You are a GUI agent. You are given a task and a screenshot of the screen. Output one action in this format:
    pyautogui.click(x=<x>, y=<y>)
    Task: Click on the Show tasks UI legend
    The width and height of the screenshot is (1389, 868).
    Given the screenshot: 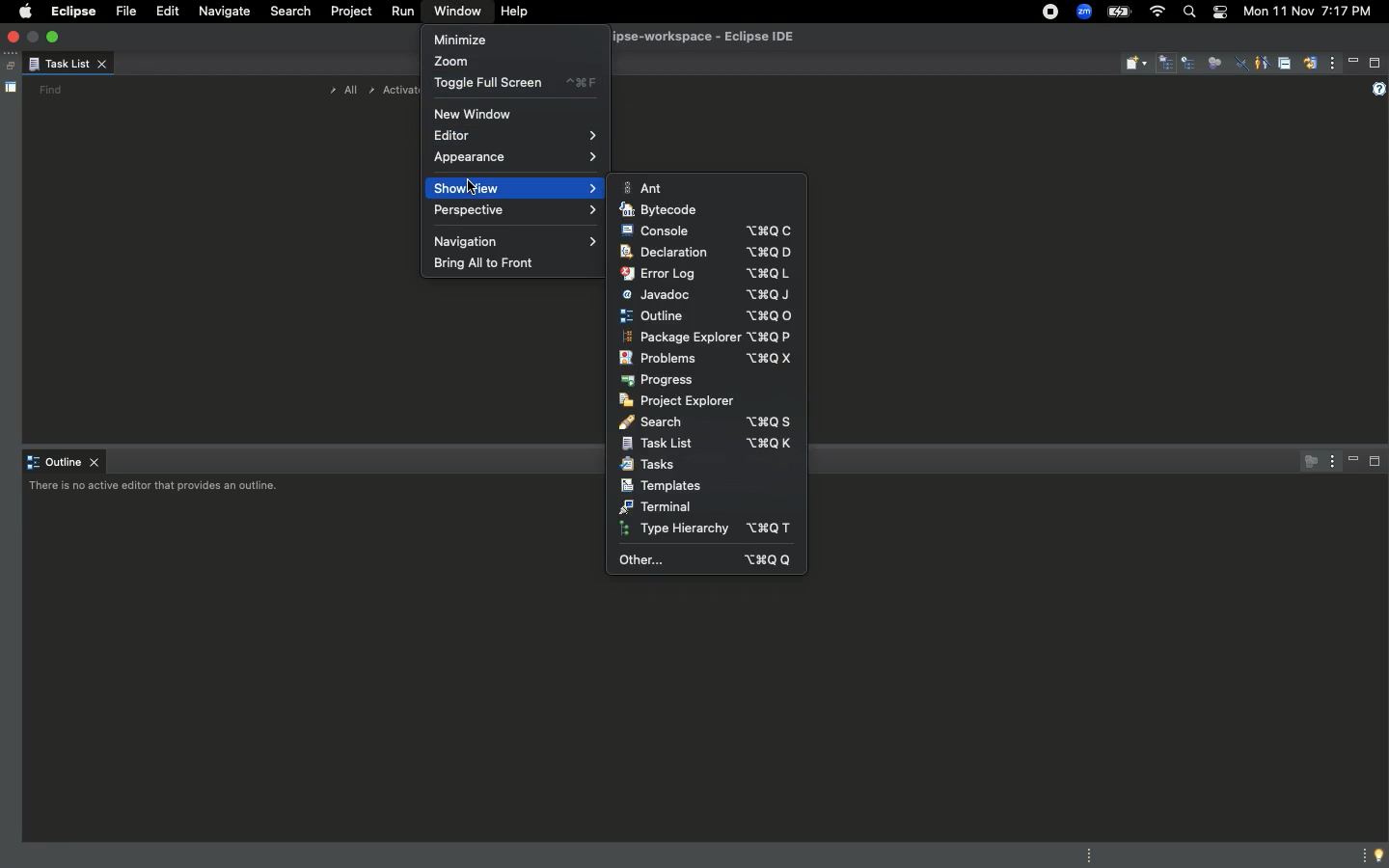 What is the action you would take?
    pyautogui.click(x=1376, y=90)
    